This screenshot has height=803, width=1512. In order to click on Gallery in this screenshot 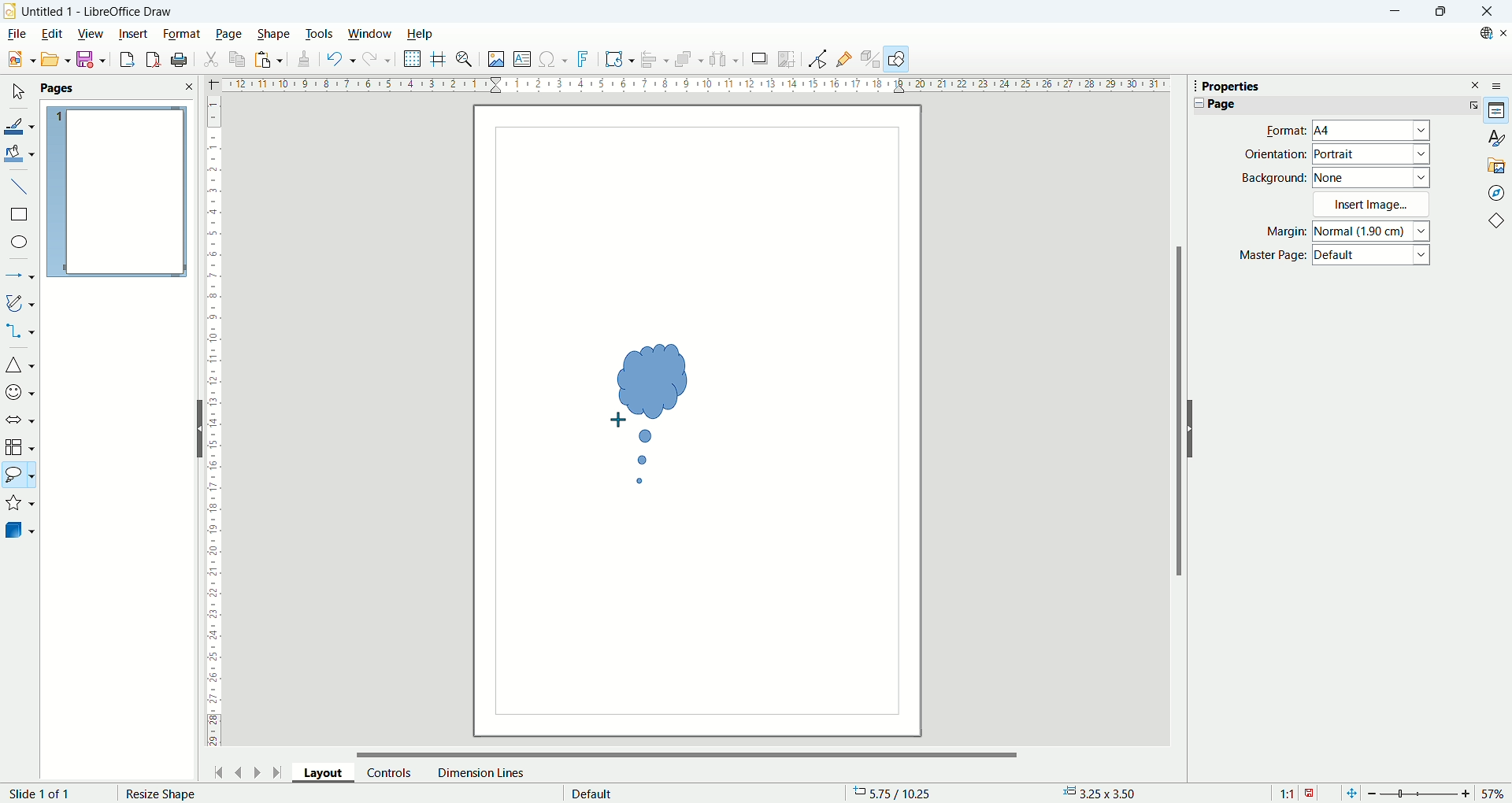, I will do `click(1497, 165)`.